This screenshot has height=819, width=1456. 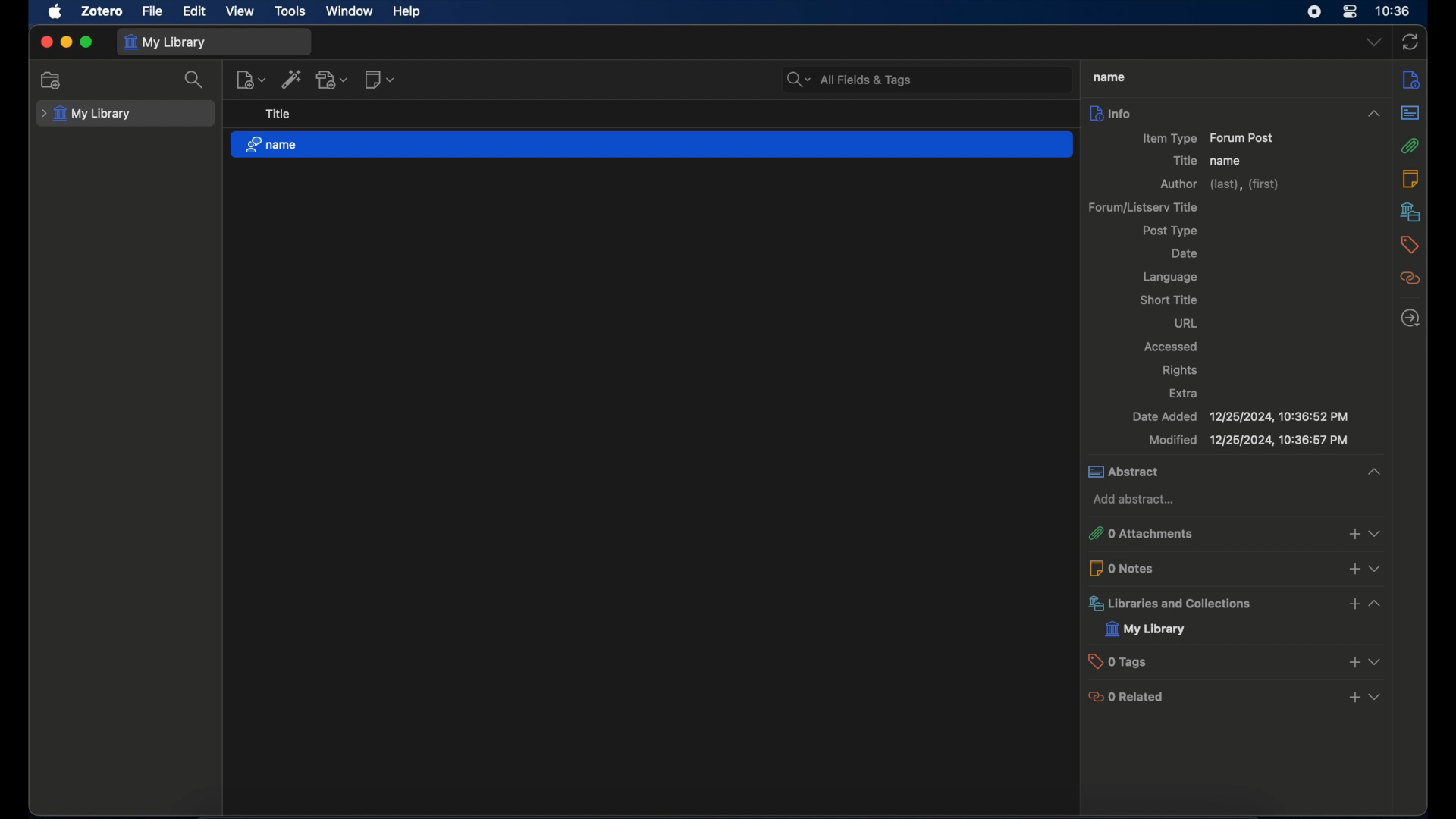 I want to click on attachments, so click(x=1410, y=146).